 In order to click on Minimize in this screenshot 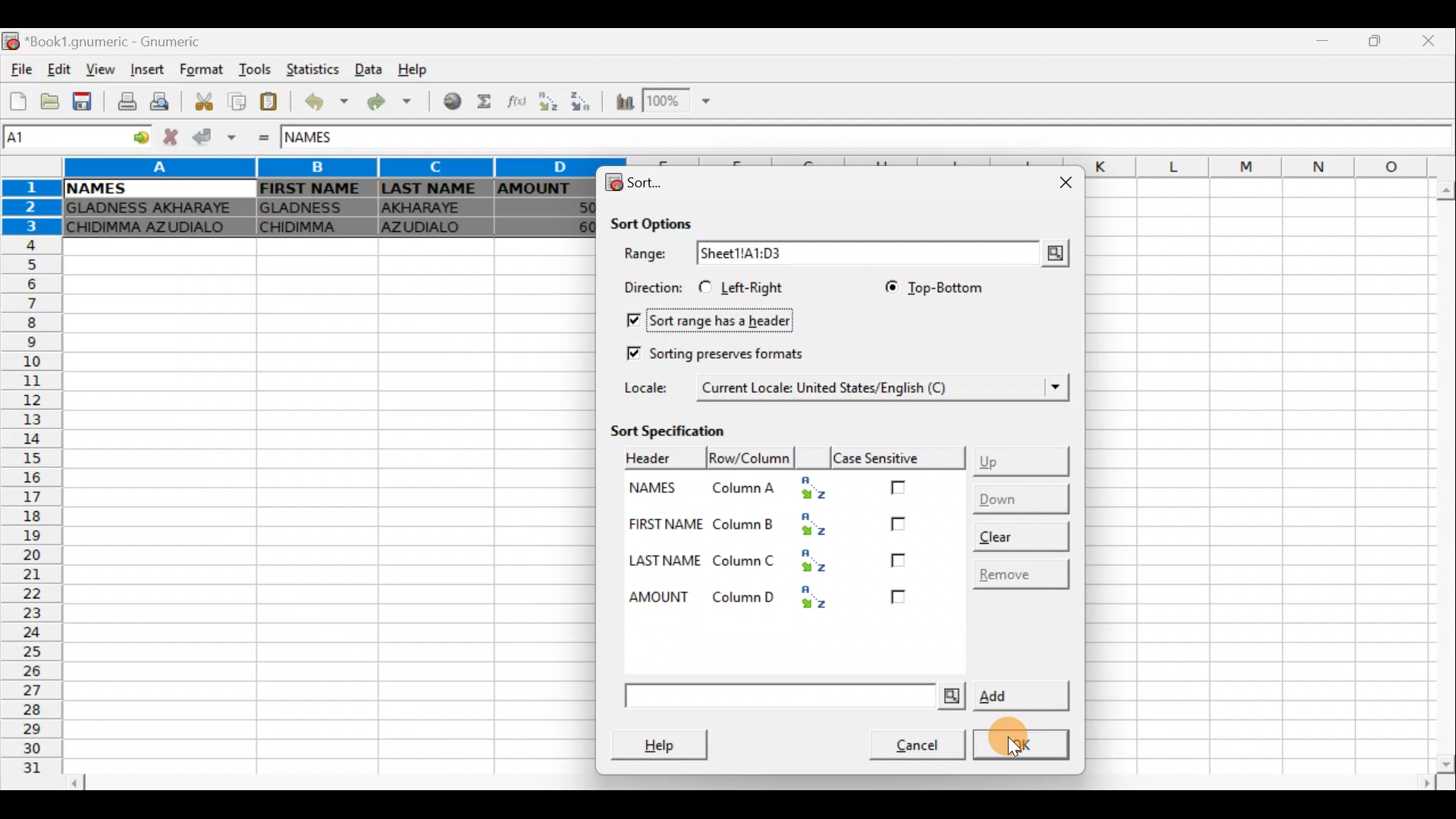, I will do `click(1323, 45)`.